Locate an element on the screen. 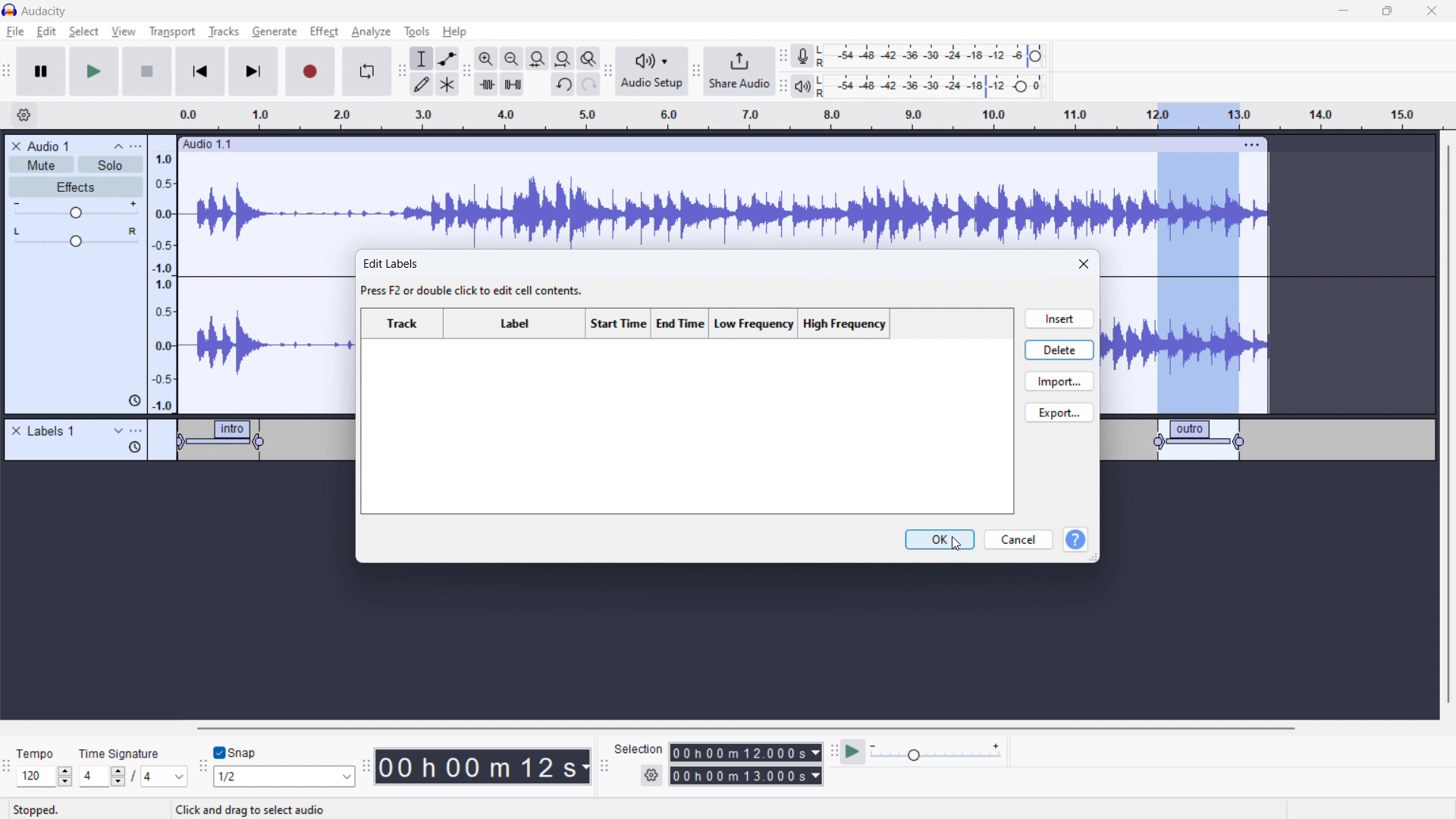 The width and height of the screenshot is (1456, 819). end time is located at coordinates (683, 323).